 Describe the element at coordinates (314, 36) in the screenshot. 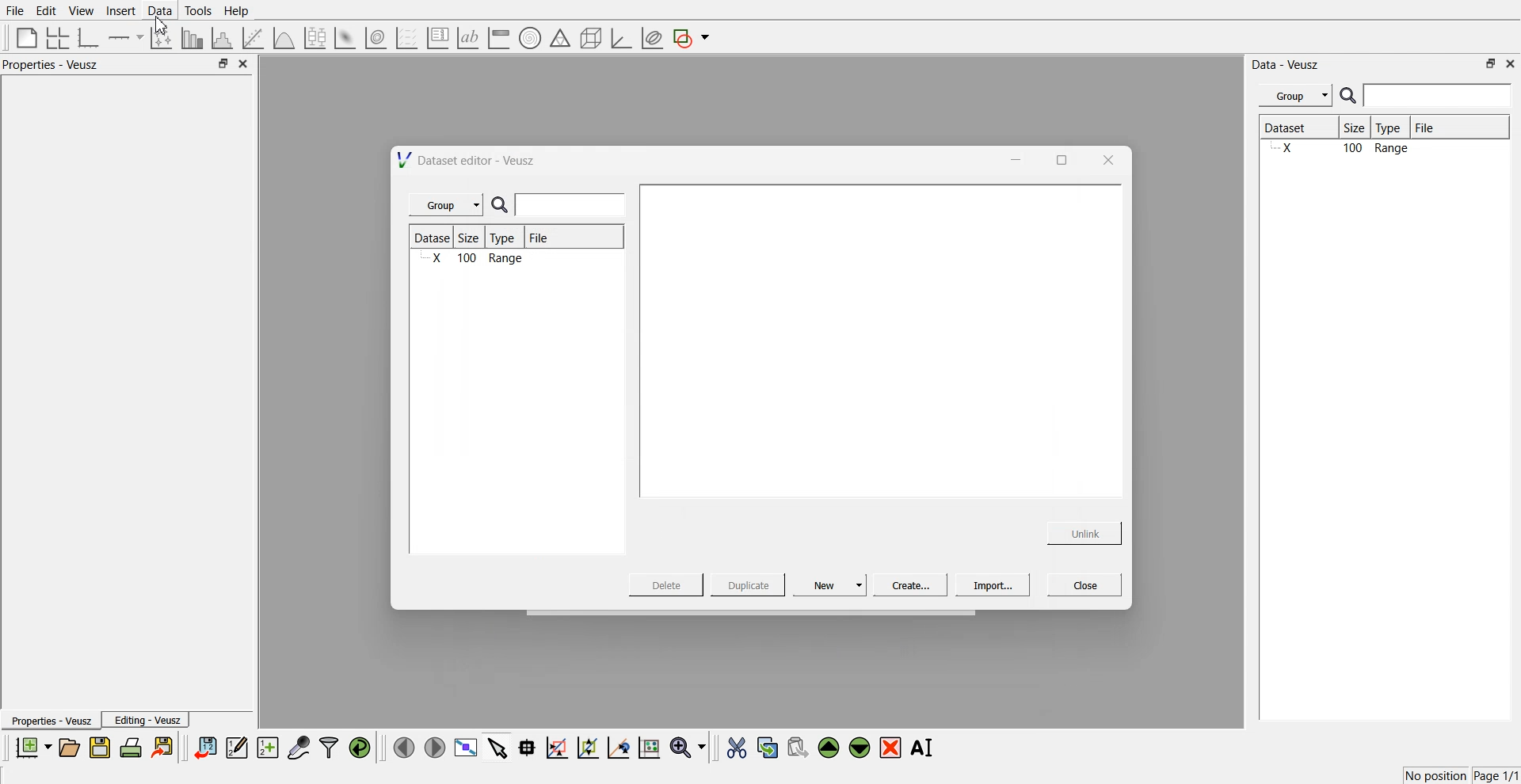

I see `plot a boxplot` at that location.